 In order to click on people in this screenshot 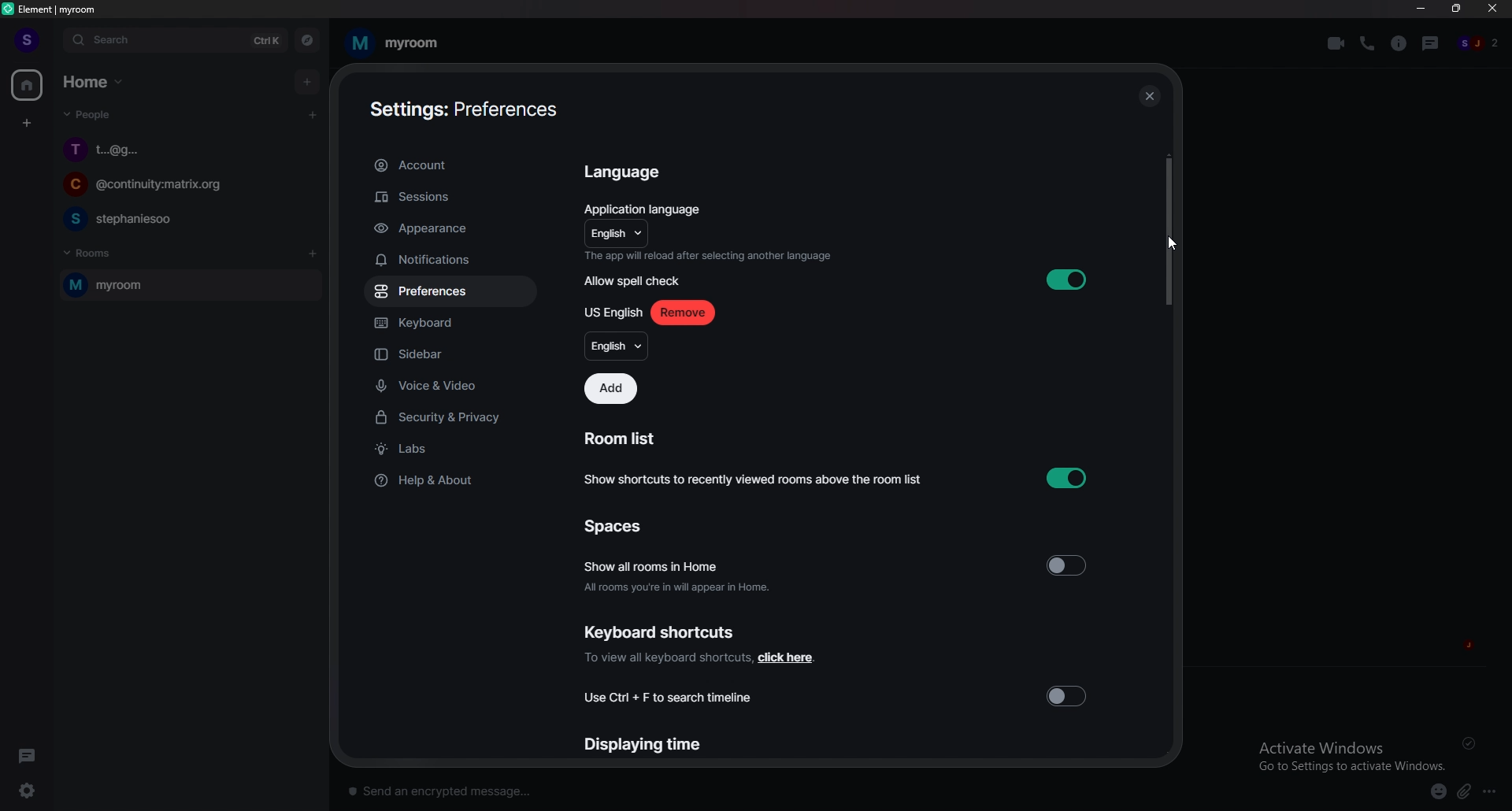, I will do `click(1480, 44)`.